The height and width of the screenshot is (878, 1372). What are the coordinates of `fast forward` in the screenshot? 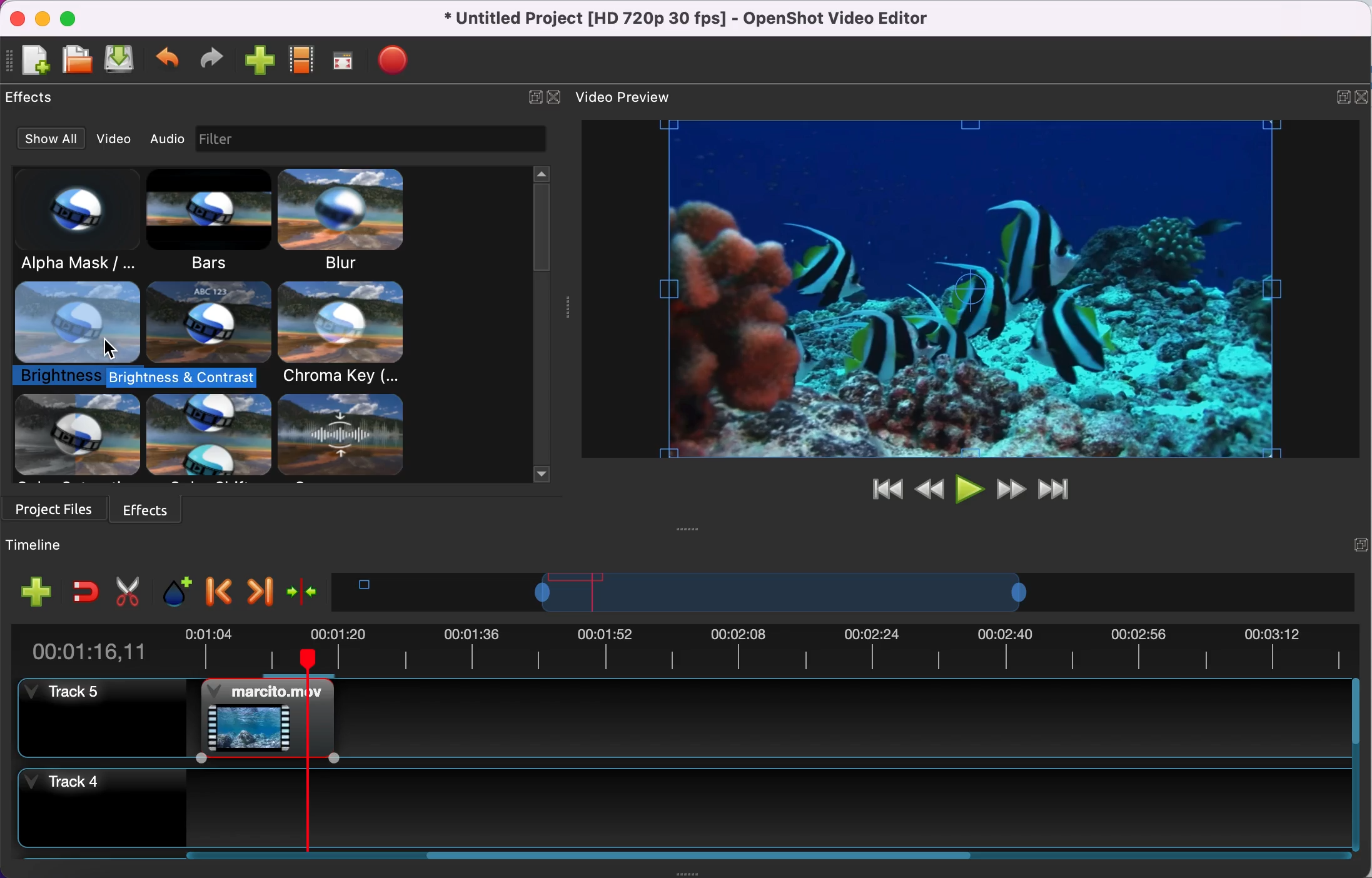 It's located at (1009, 489).